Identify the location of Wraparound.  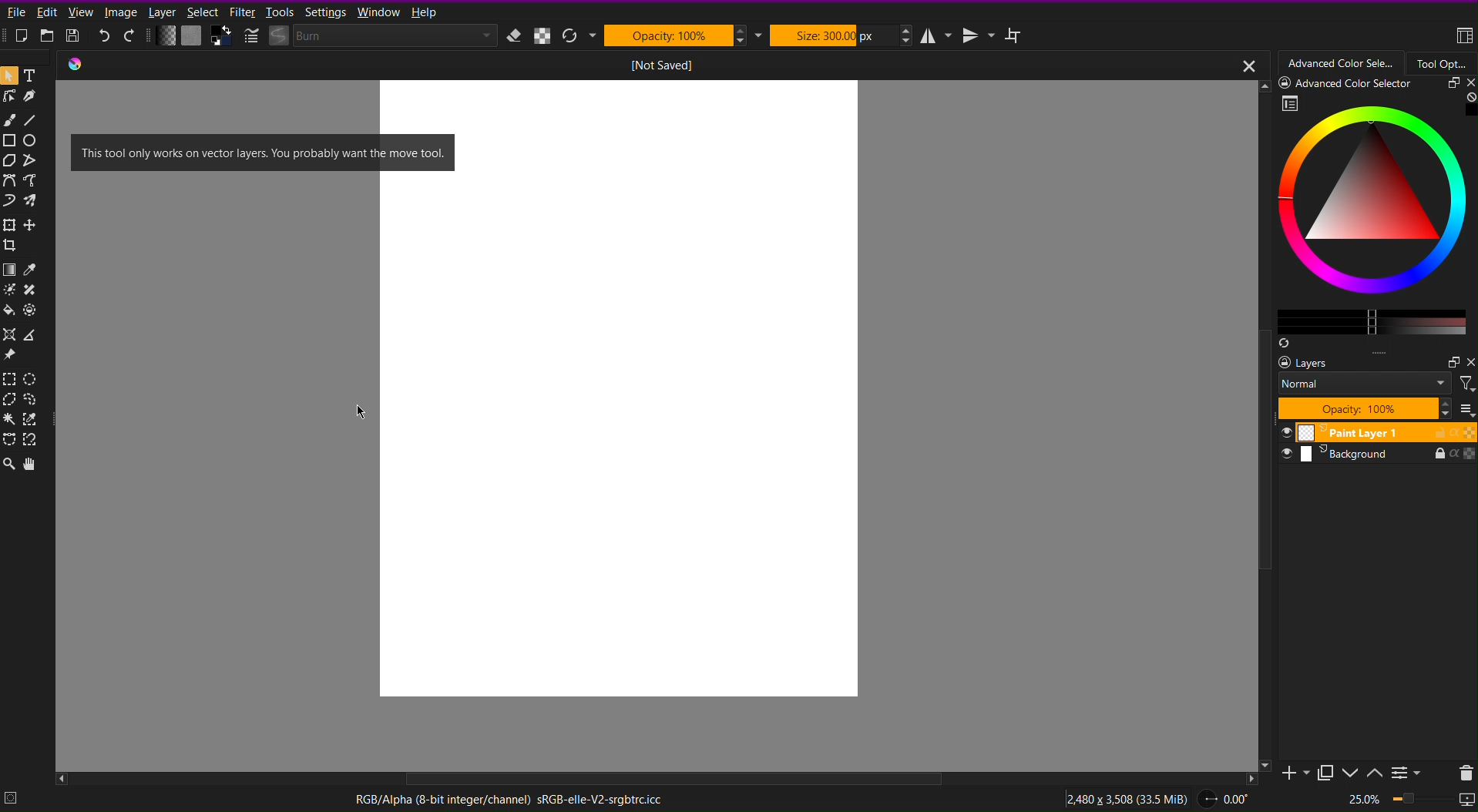
(1015, 35).